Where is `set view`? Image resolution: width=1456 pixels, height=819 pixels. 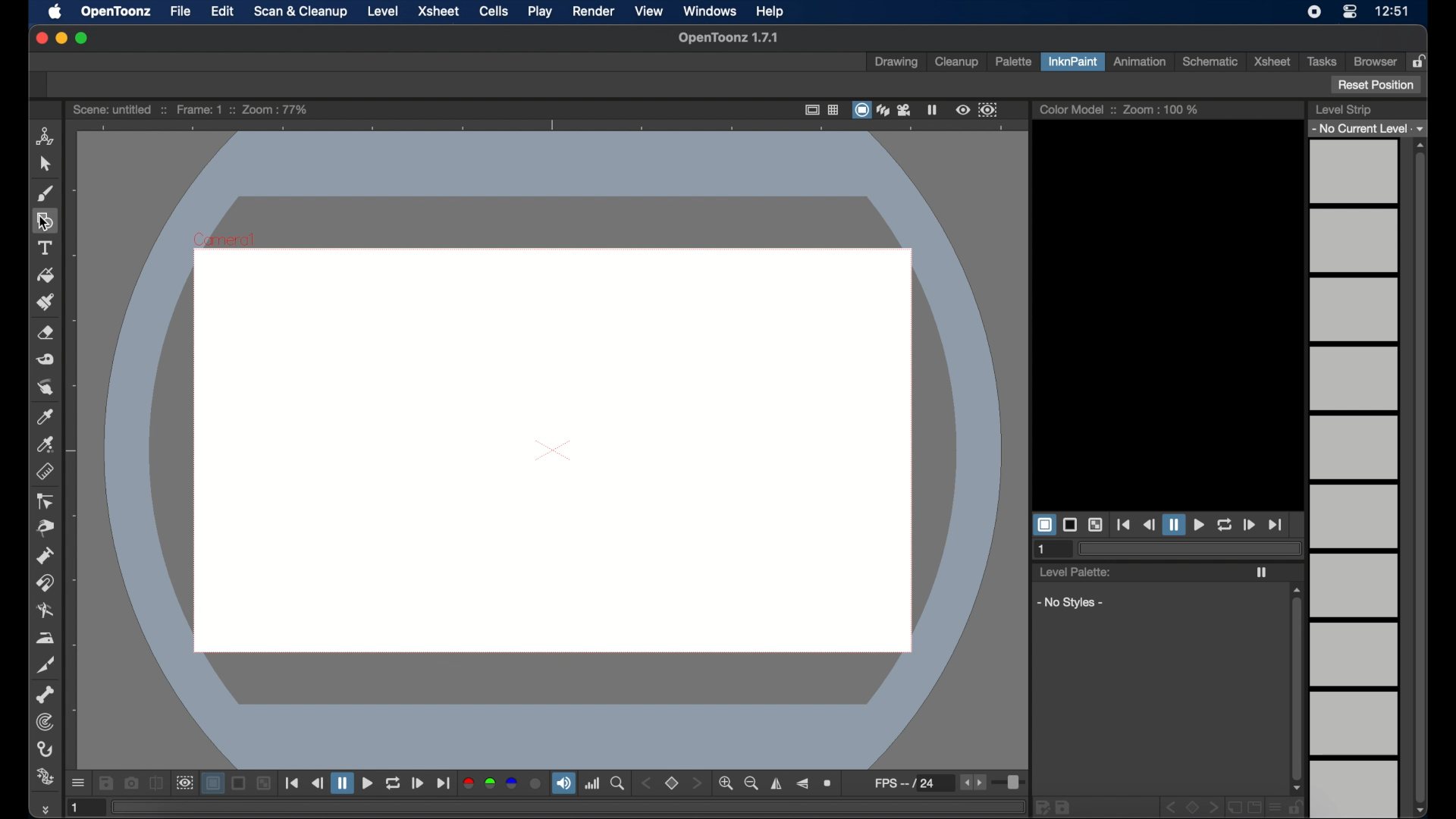
set view is located at coordinates (672, 784).